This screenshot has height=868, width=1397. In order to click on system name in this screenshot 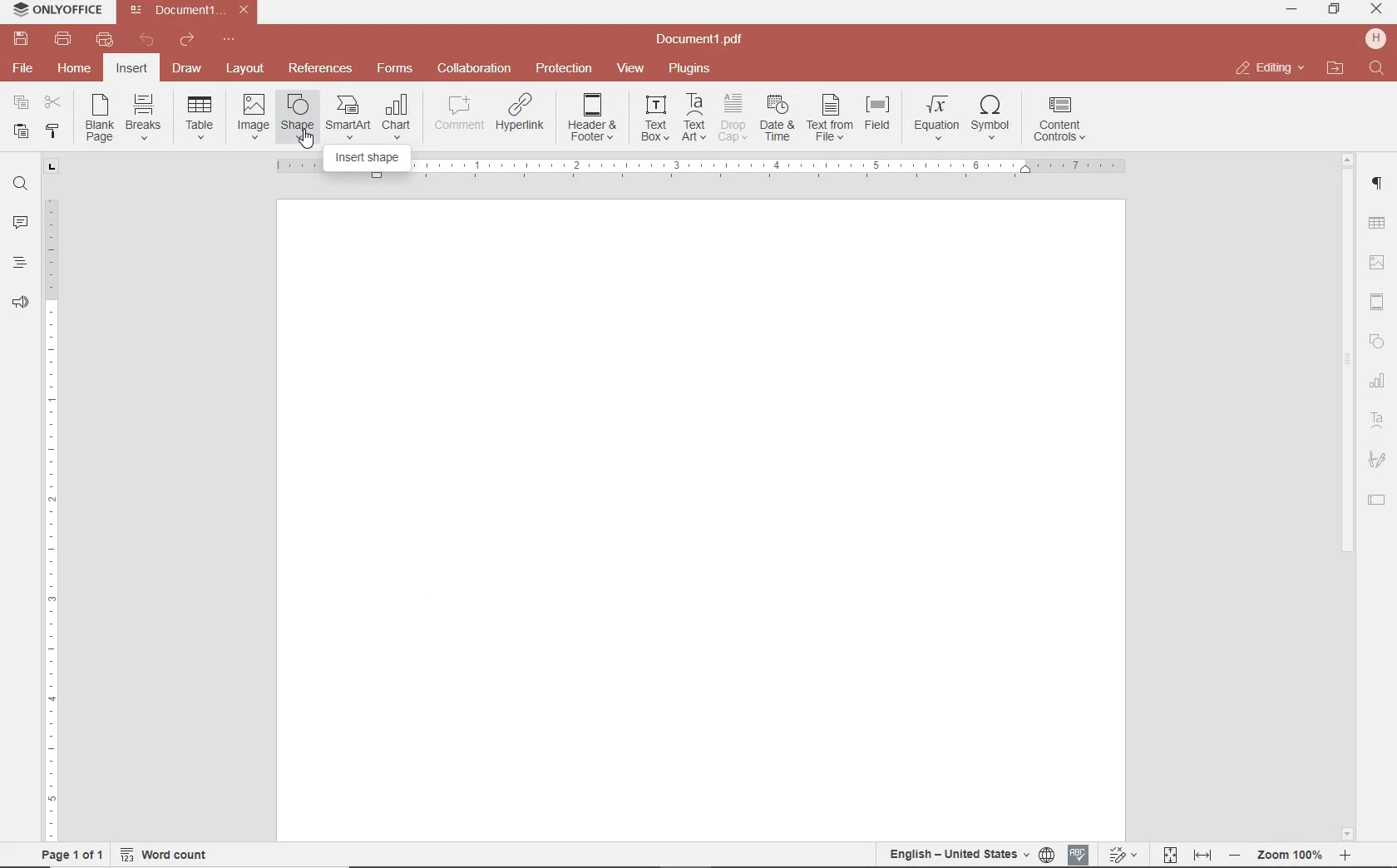, I will do `click(53, 11)`.